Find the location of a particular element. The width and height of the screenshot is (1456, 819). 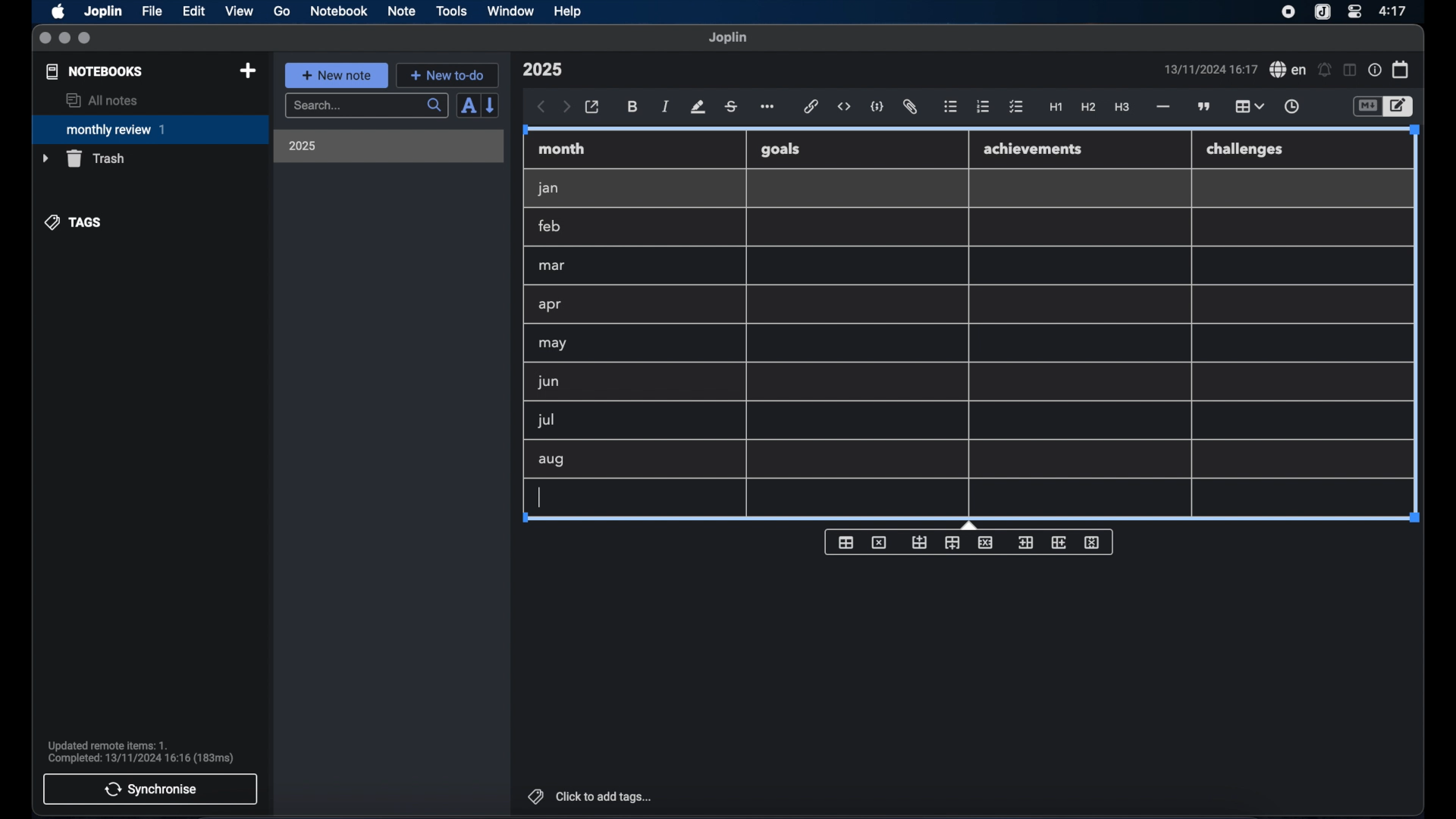

achievements is located at coordinates (1034, 149).